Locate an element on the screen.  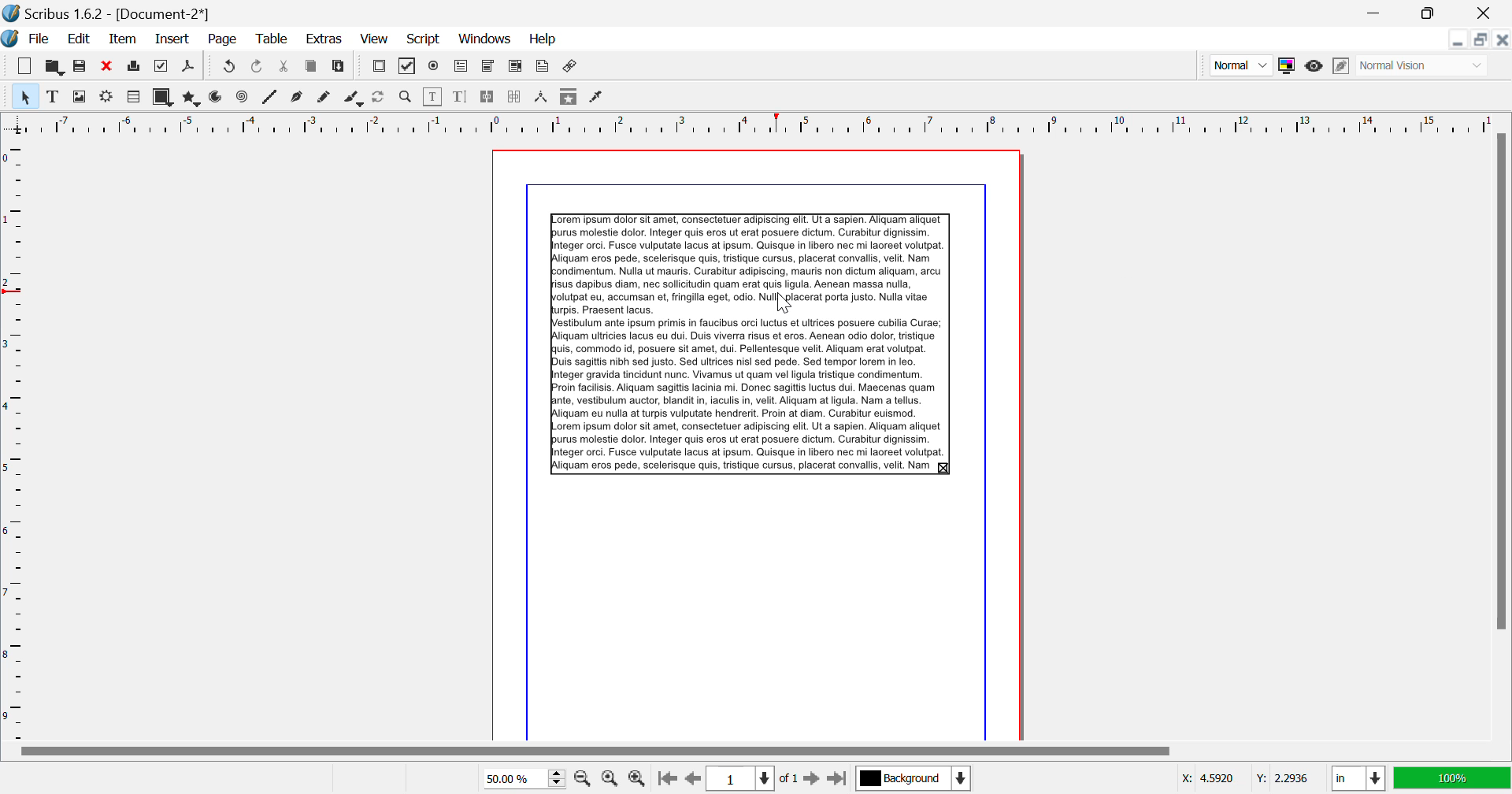
Edit Text with Story Editor is located at coordinates (460, 97).